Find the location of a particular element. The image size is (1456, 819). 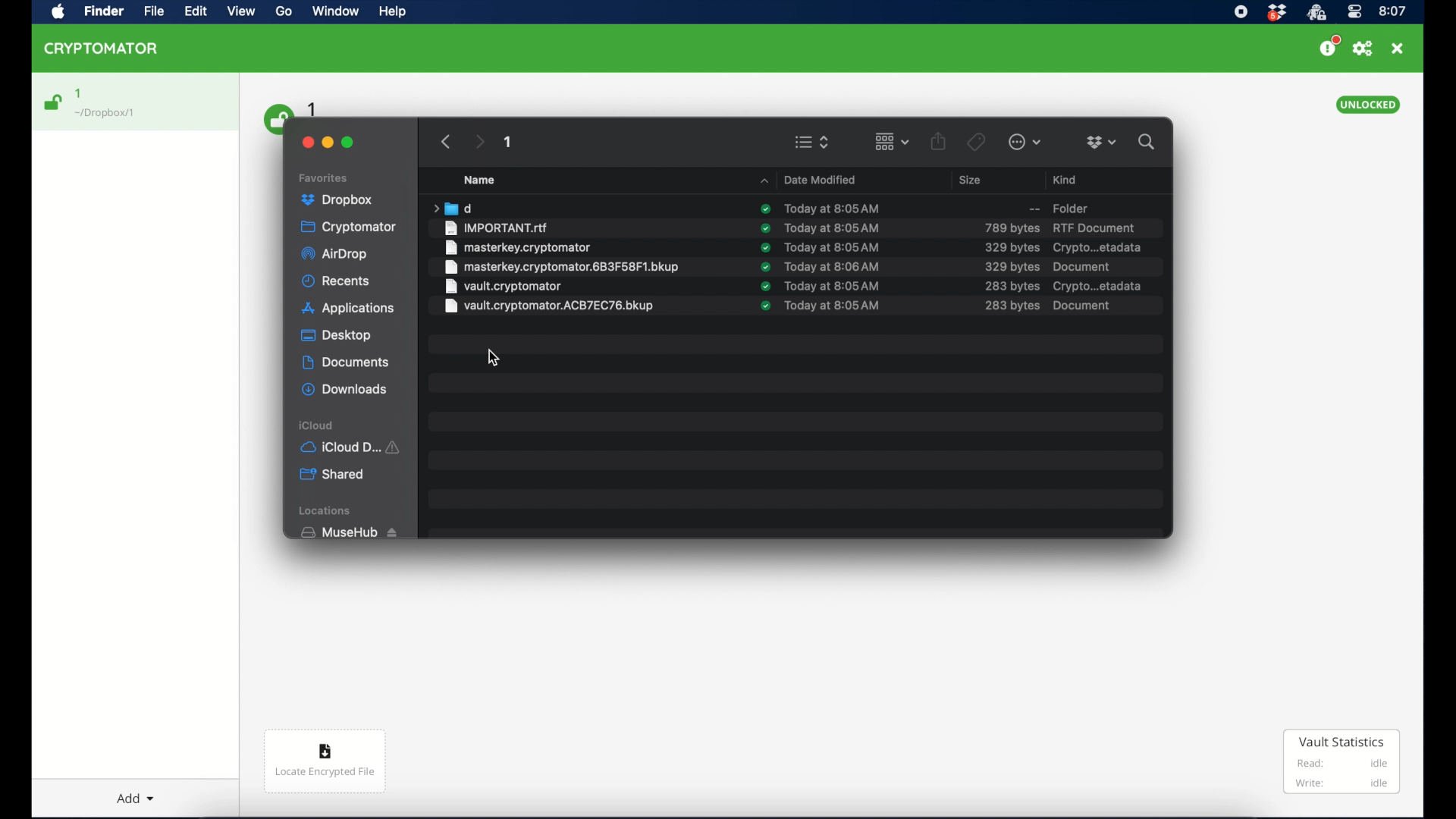

date is located at coordinates (833, 247).